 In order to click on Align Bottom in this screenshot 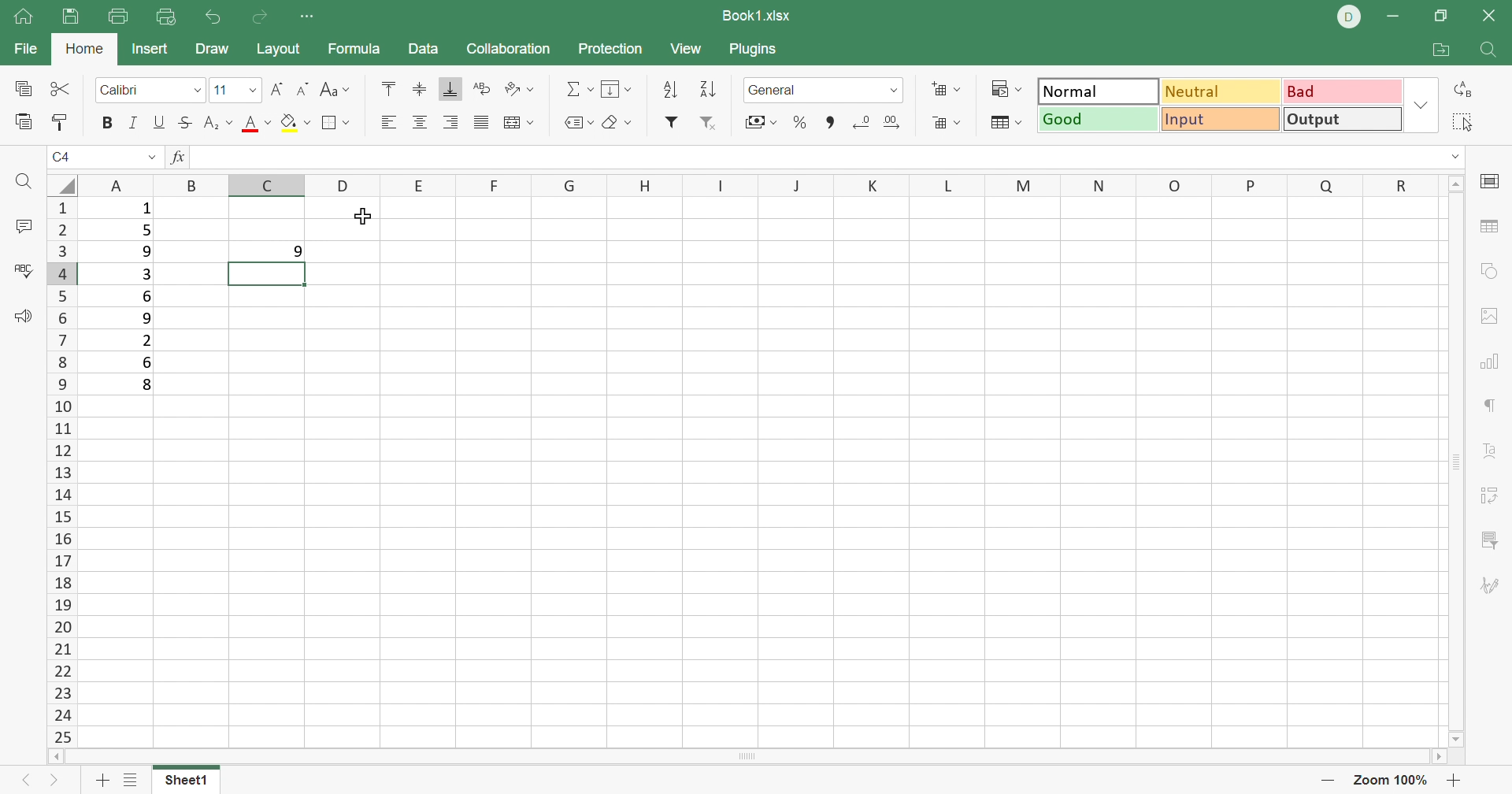, I will do `click(451, 90)`.